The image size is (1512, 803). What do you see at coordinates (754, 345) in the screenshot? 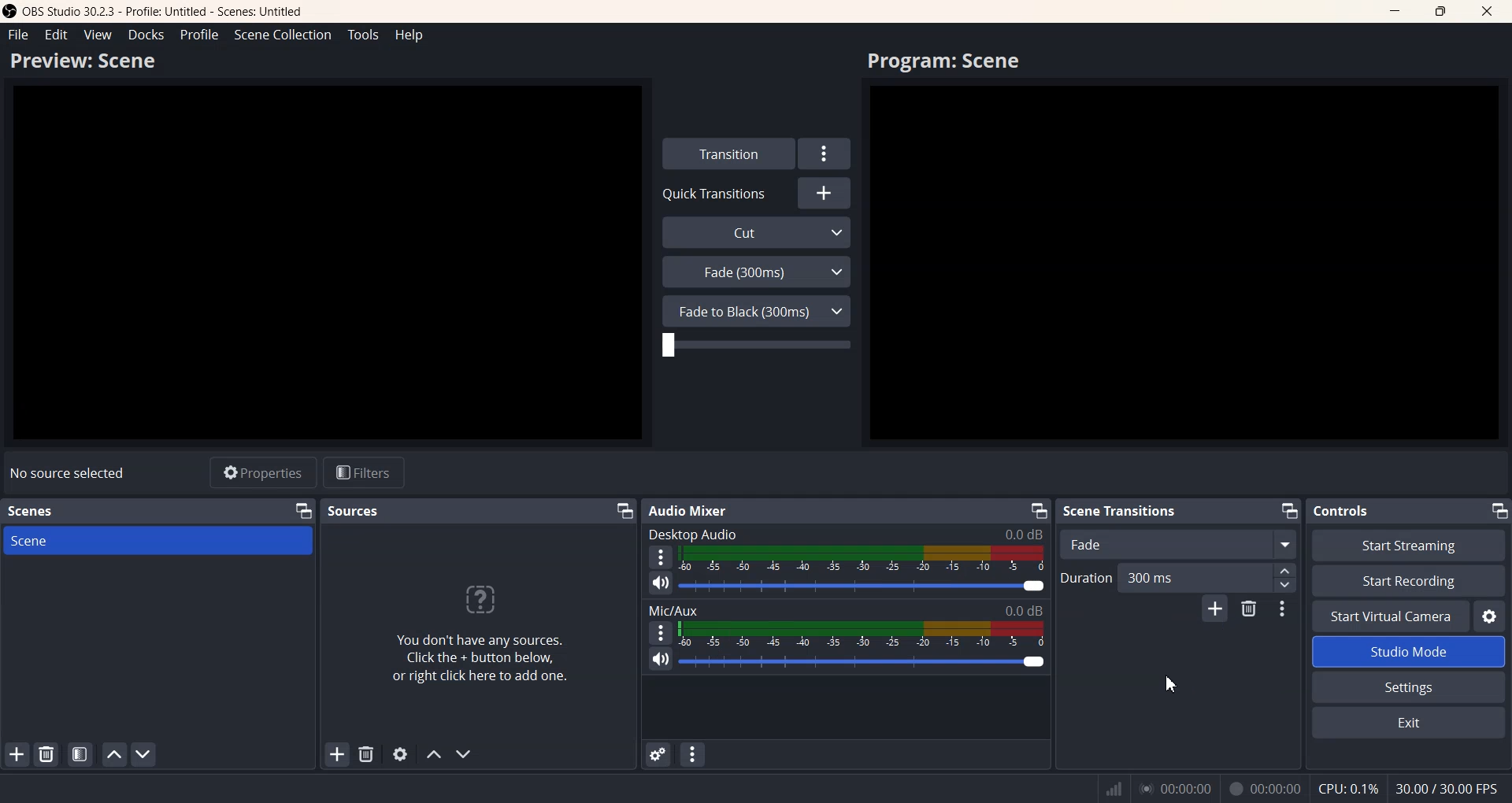
I see `Adjuster` at bounding box center [754, 345].